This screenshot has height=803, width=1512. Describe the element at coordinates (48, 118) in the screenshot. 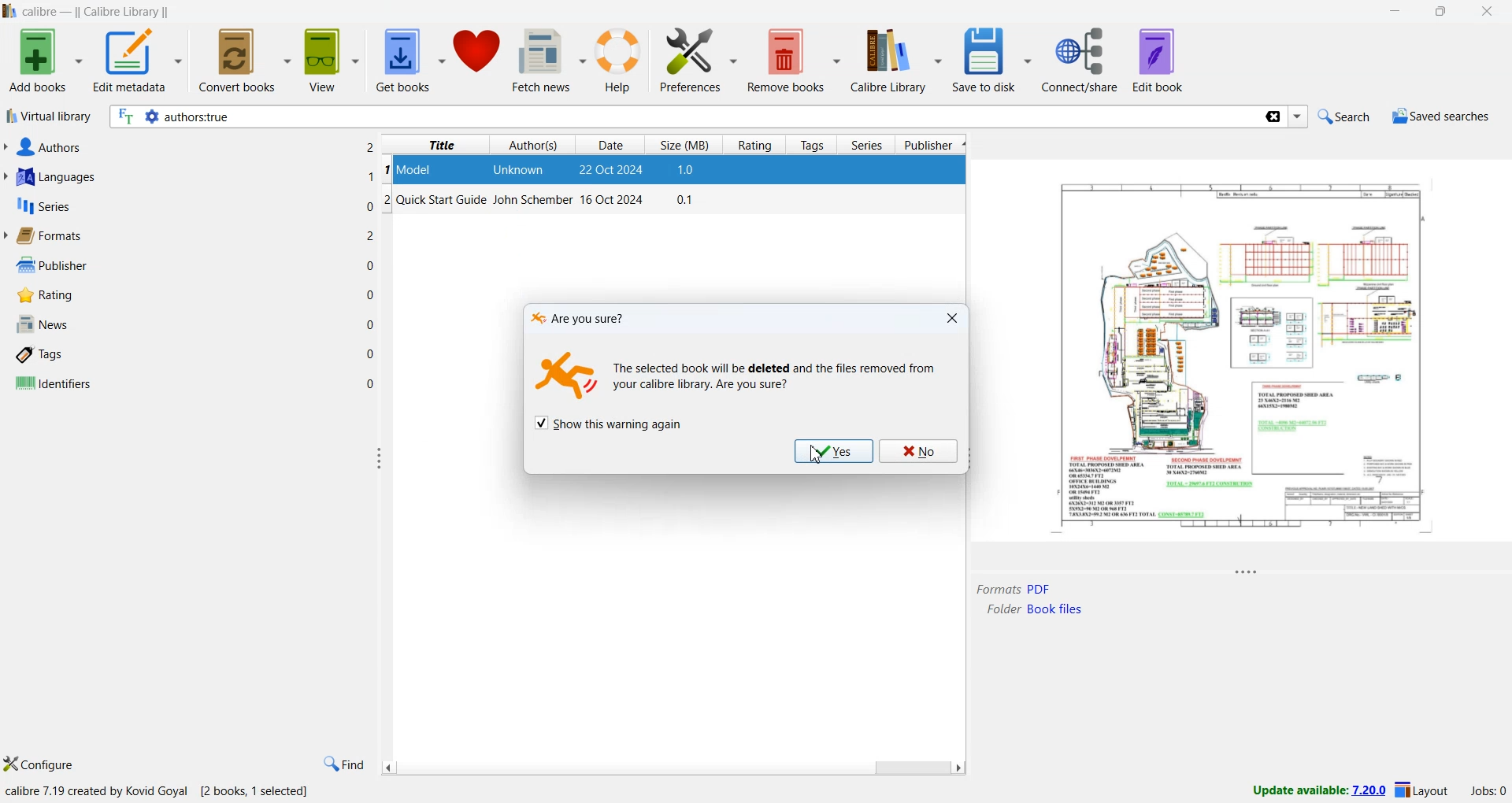

I see `virtual library` at that location.